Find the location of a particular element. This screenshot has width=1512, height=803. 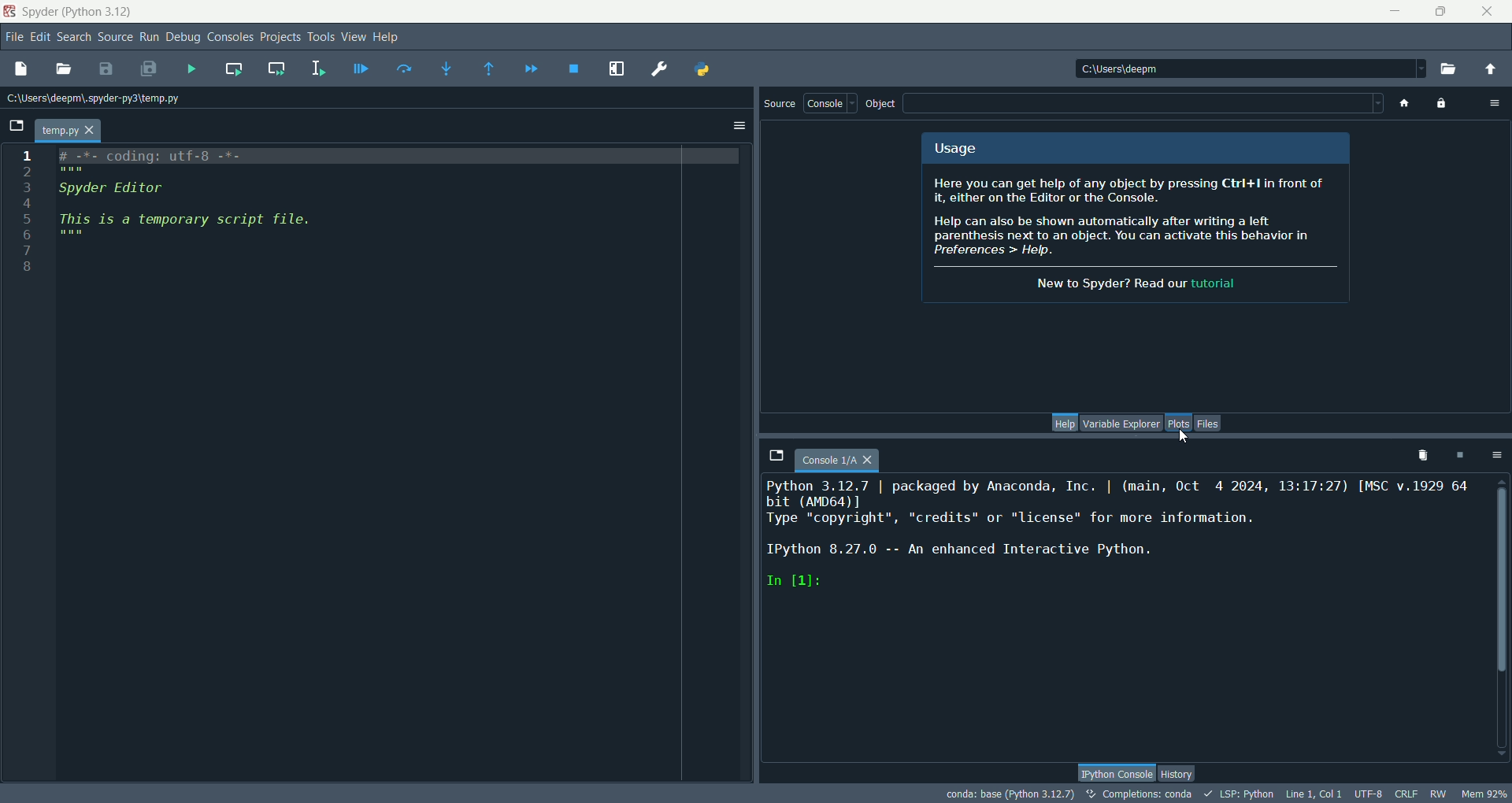

location is located at coordinates (1251, 69).